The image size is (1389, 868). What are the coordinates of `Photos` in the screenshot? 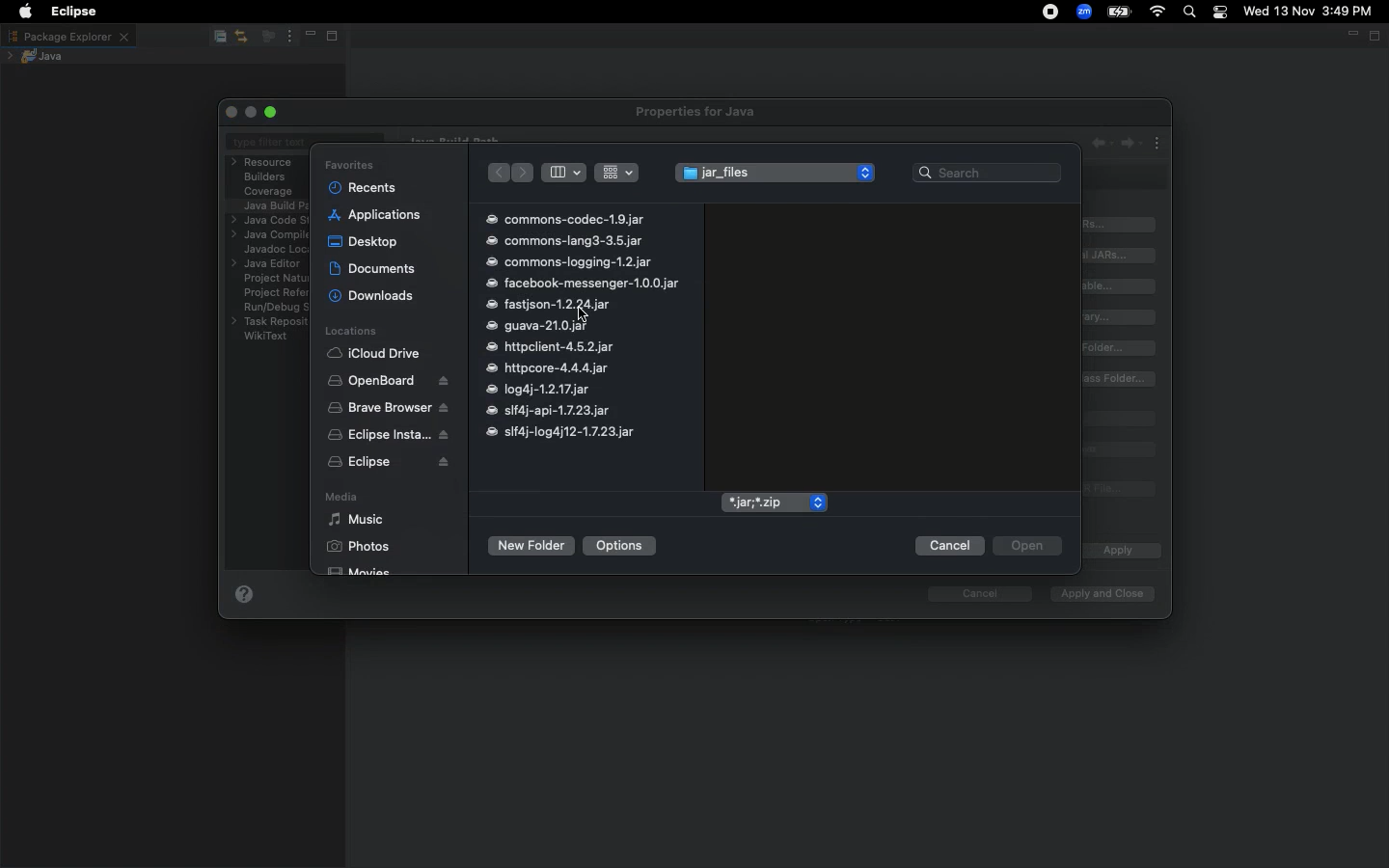 It's located at (358, 546).